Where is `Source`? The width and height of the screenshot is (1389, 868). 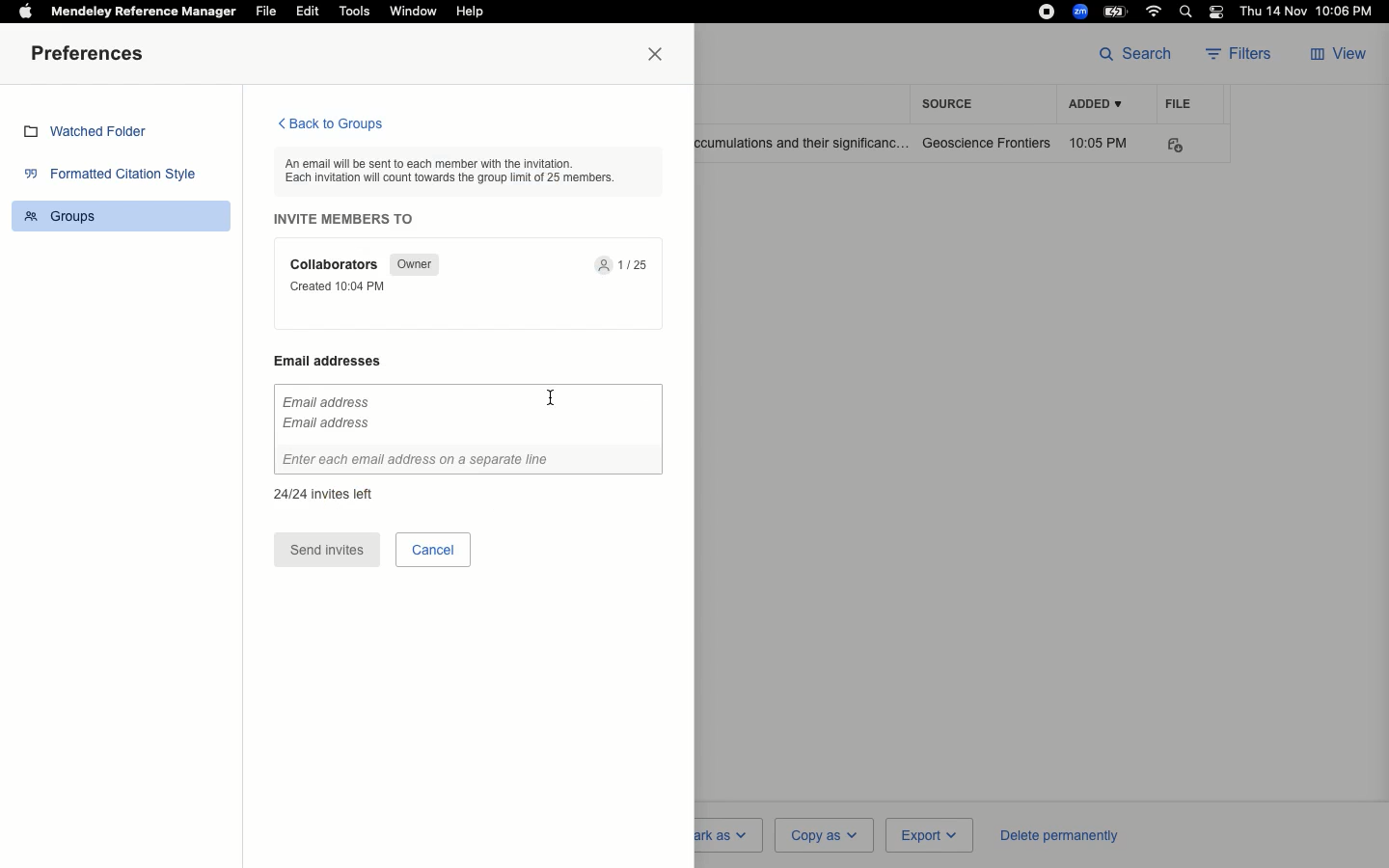
Source is located at coordinates (953, 103).